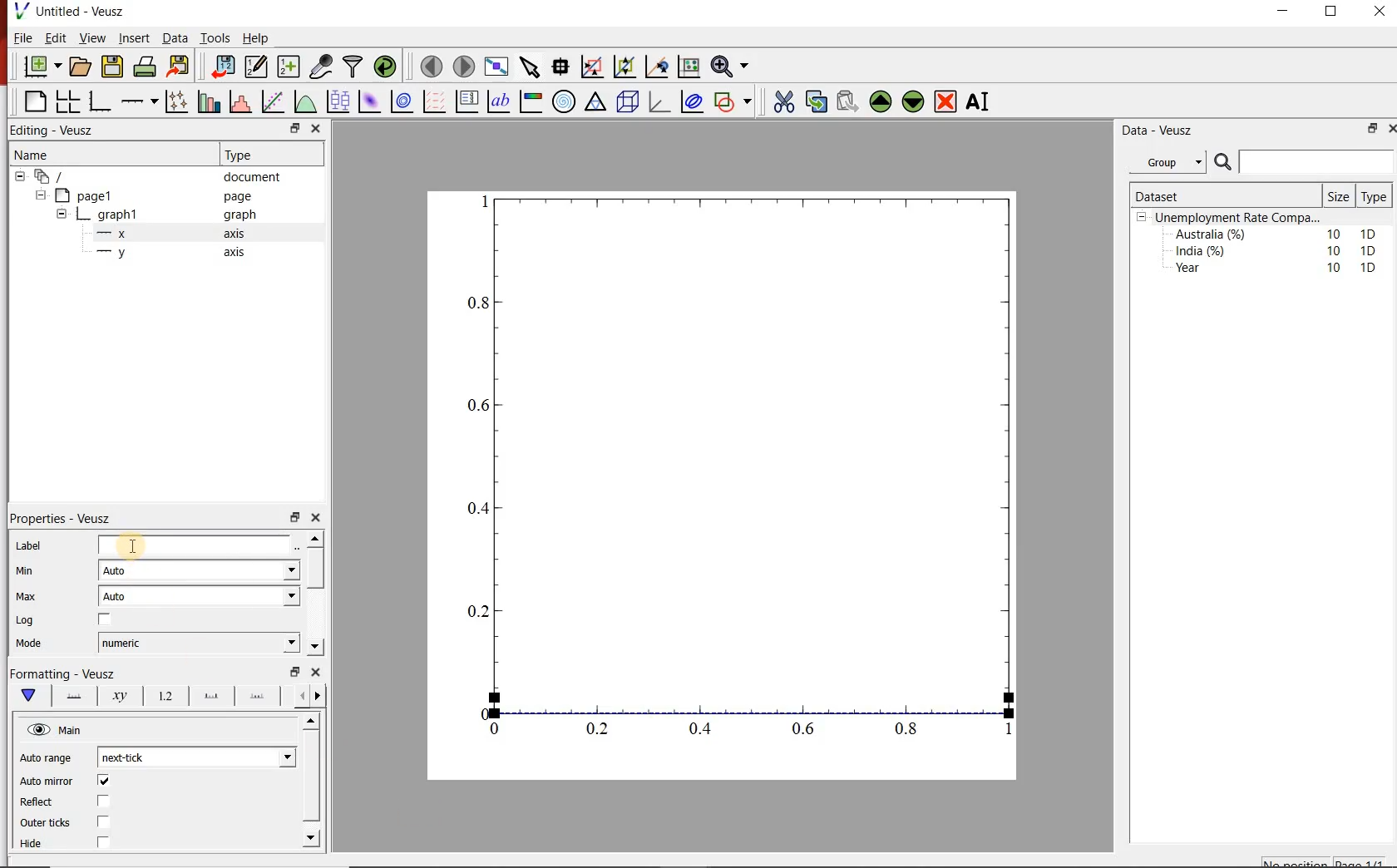 This screenshot has width=1397, height=868. What do you see at coordinates (272, 101) in the screenshot?
I see `fit a function` at bounding box center [272, 101].